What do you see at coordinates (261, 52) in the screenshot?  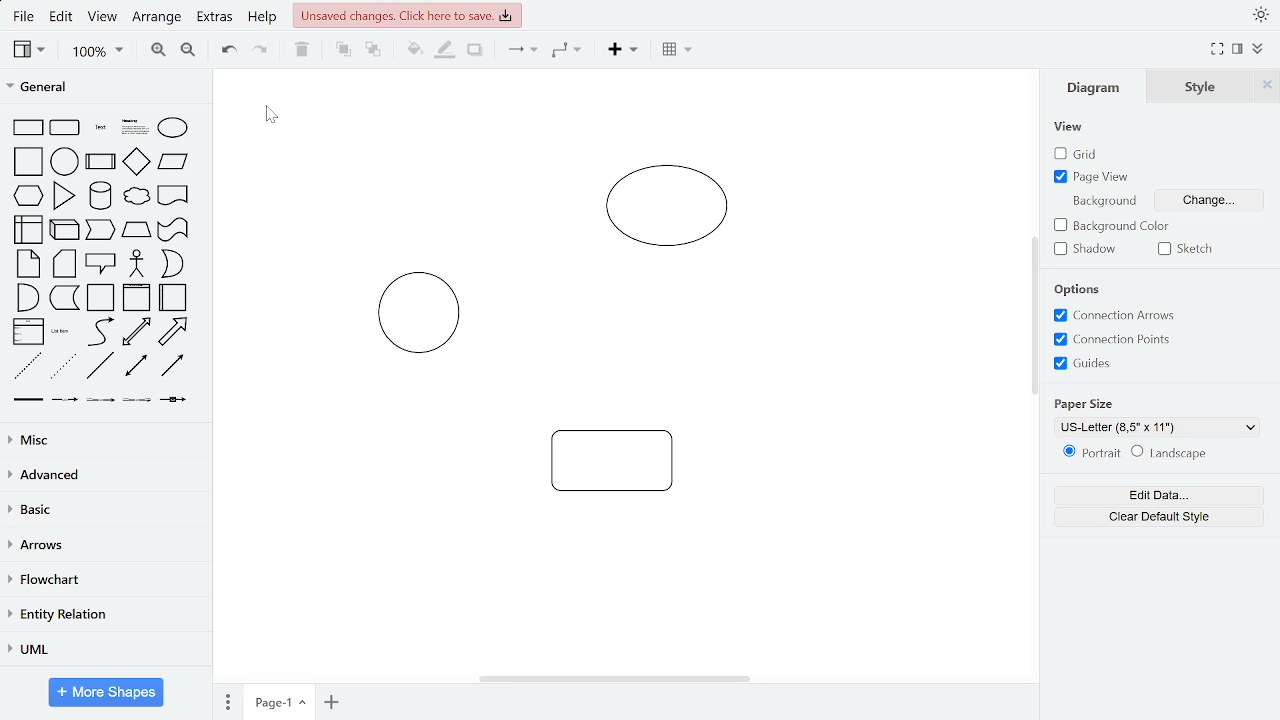 I see `redo` at bounding box center [261, 52].